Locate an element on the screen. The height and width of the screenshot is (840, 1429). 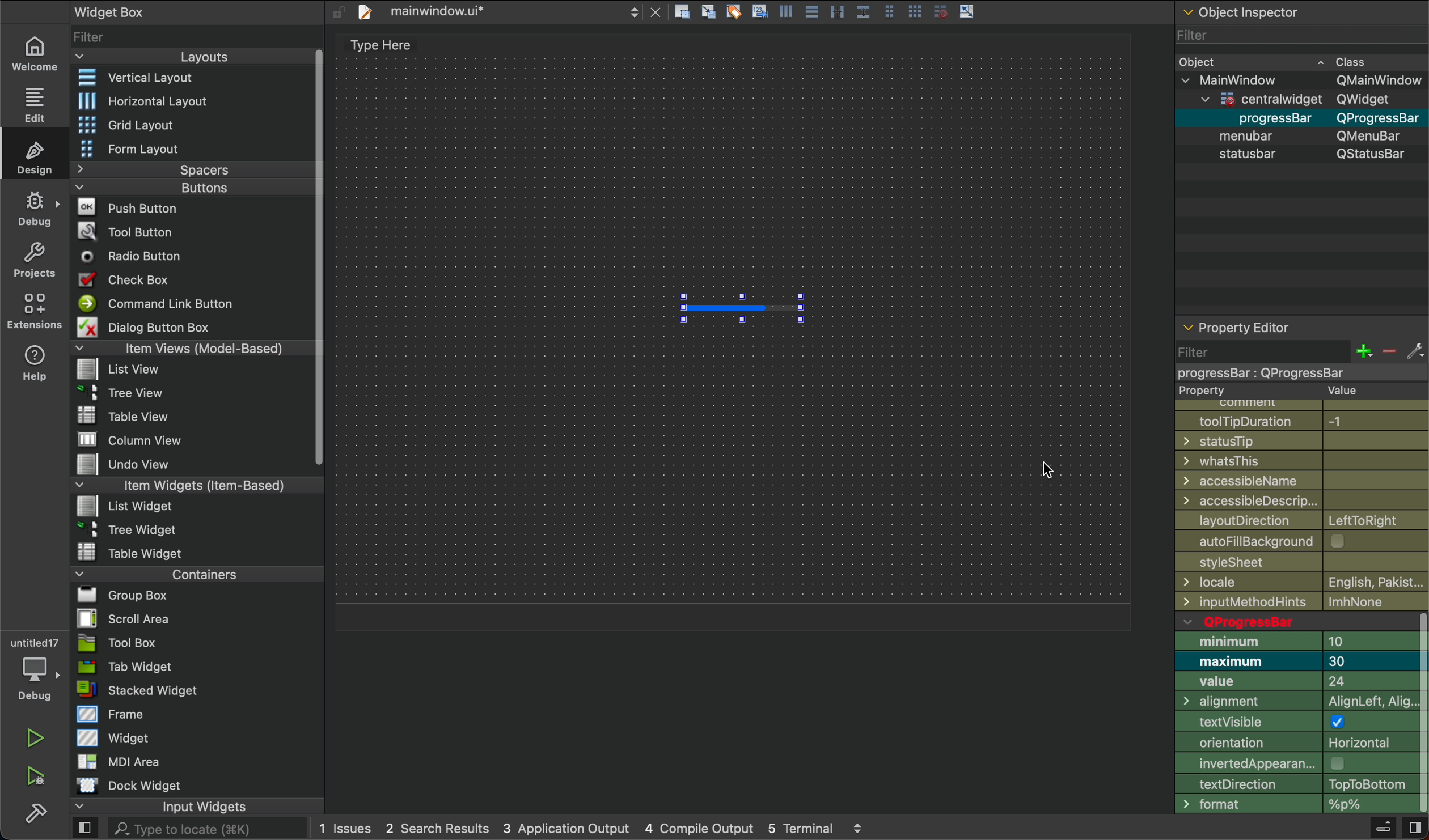
Check Box is located at coordinates (138, 279).